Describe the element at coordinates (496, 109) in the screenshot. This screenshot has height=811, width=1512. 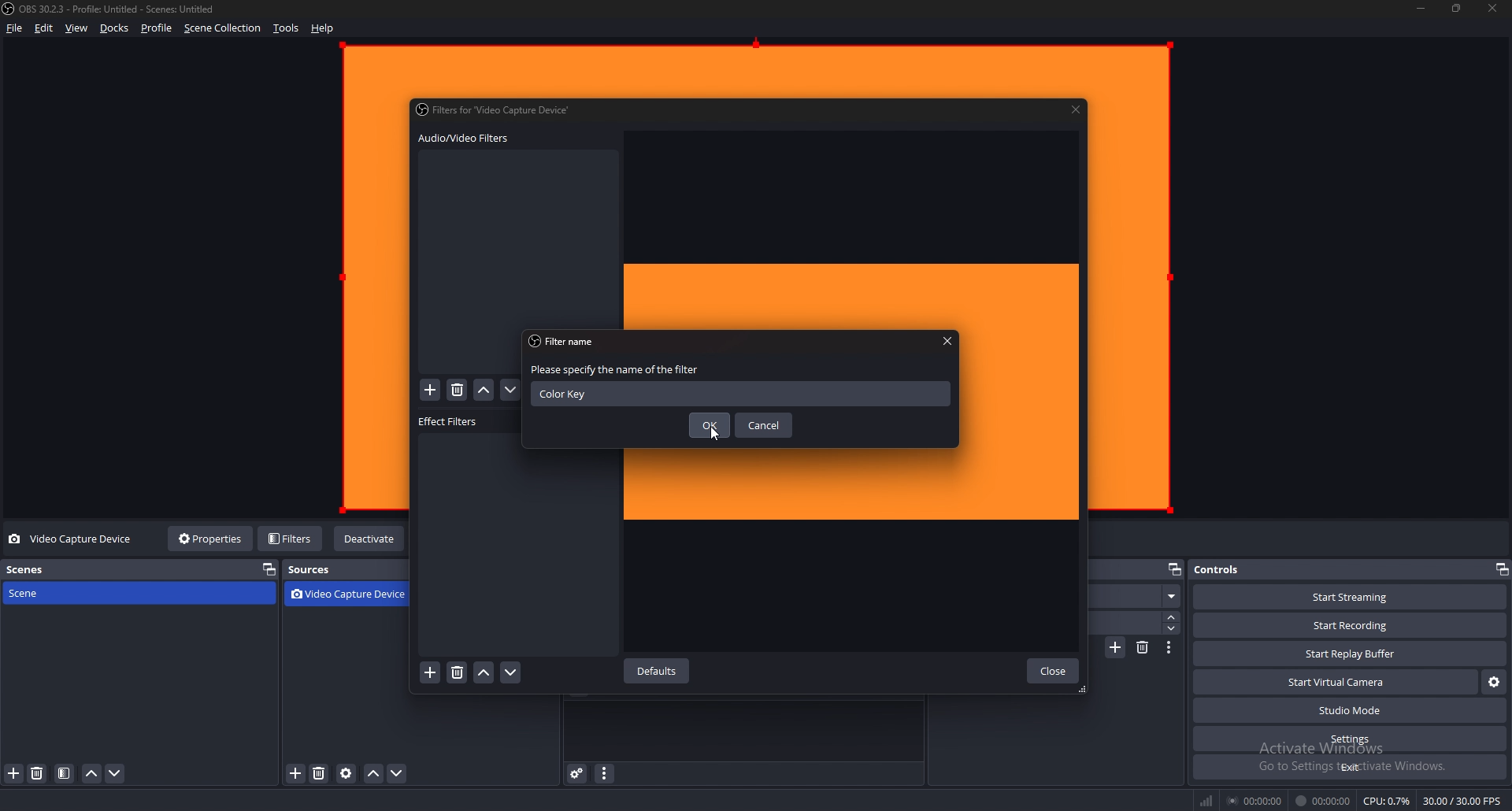
I see `Filters for "Video Capture Device’` at that location.